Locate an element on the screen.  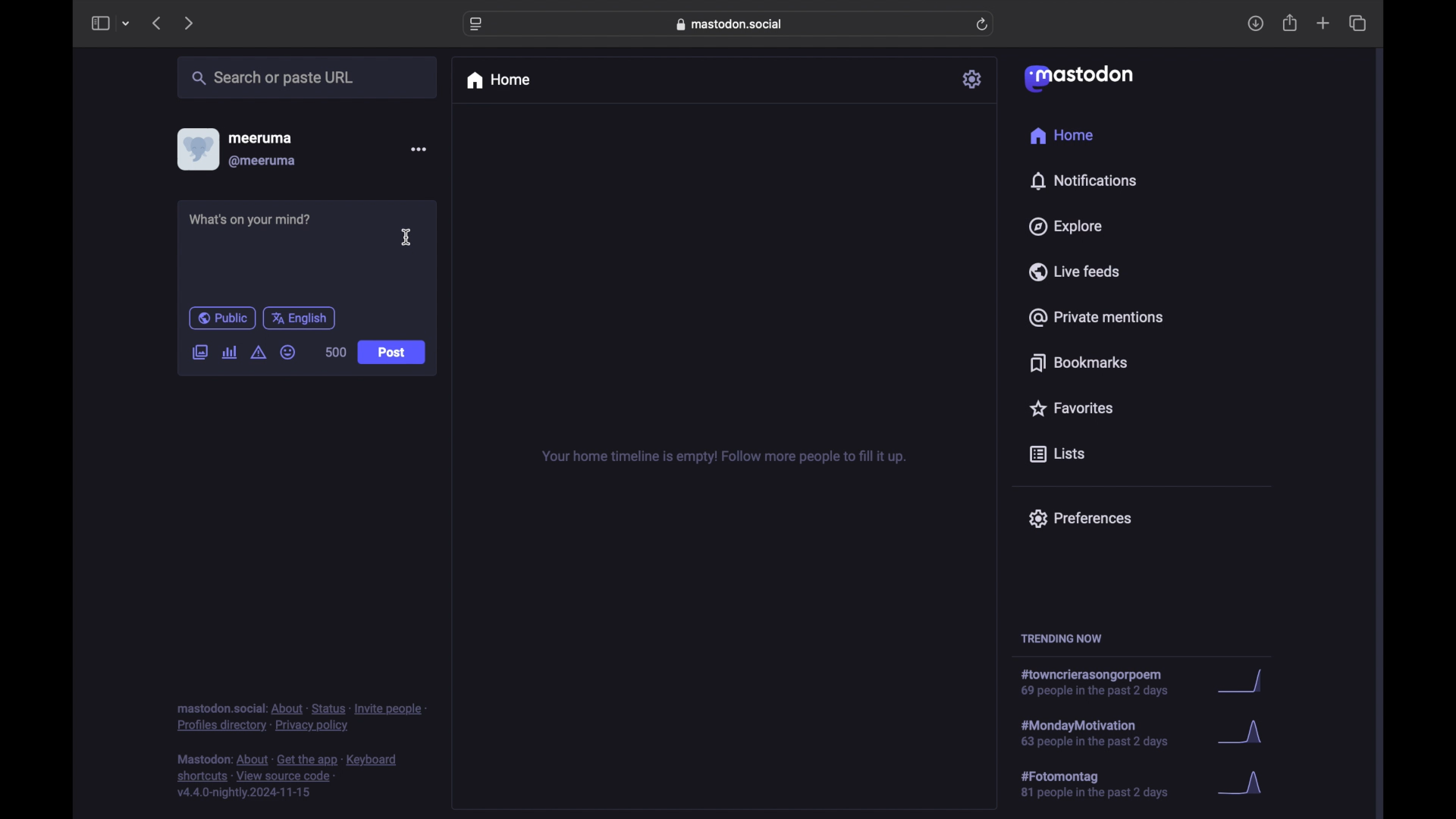
add  poll is located at coordinates (229, 352).